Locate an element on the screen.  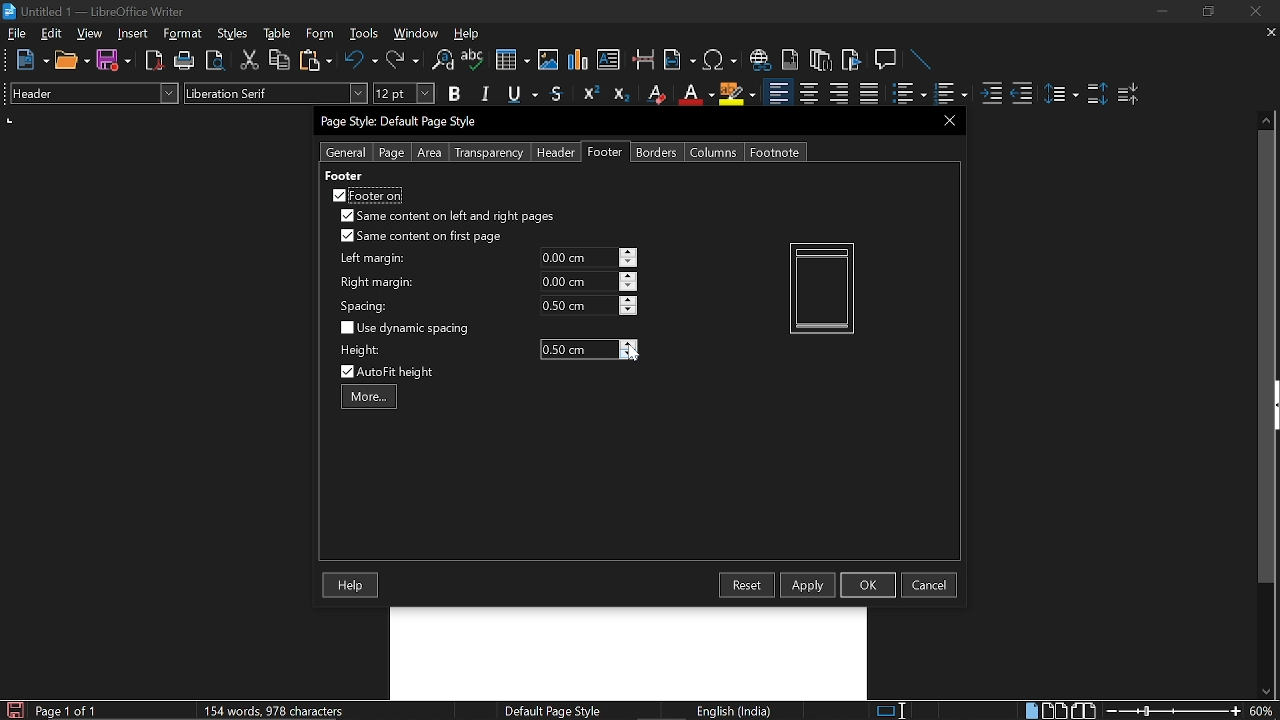
page Page is located at coordinates (391, 153).